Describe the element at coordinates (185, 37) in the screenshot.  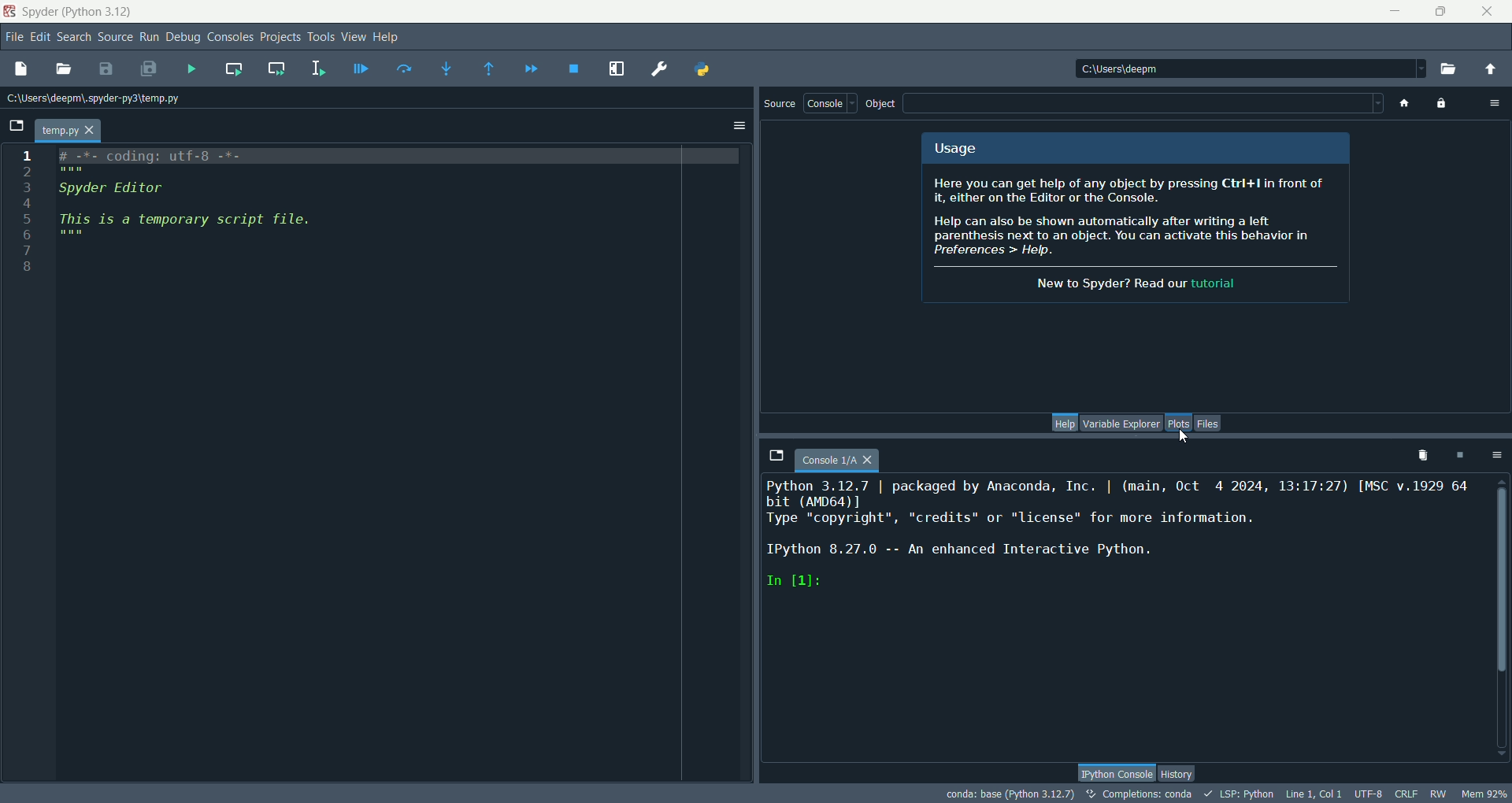
I see `debug` at that location.